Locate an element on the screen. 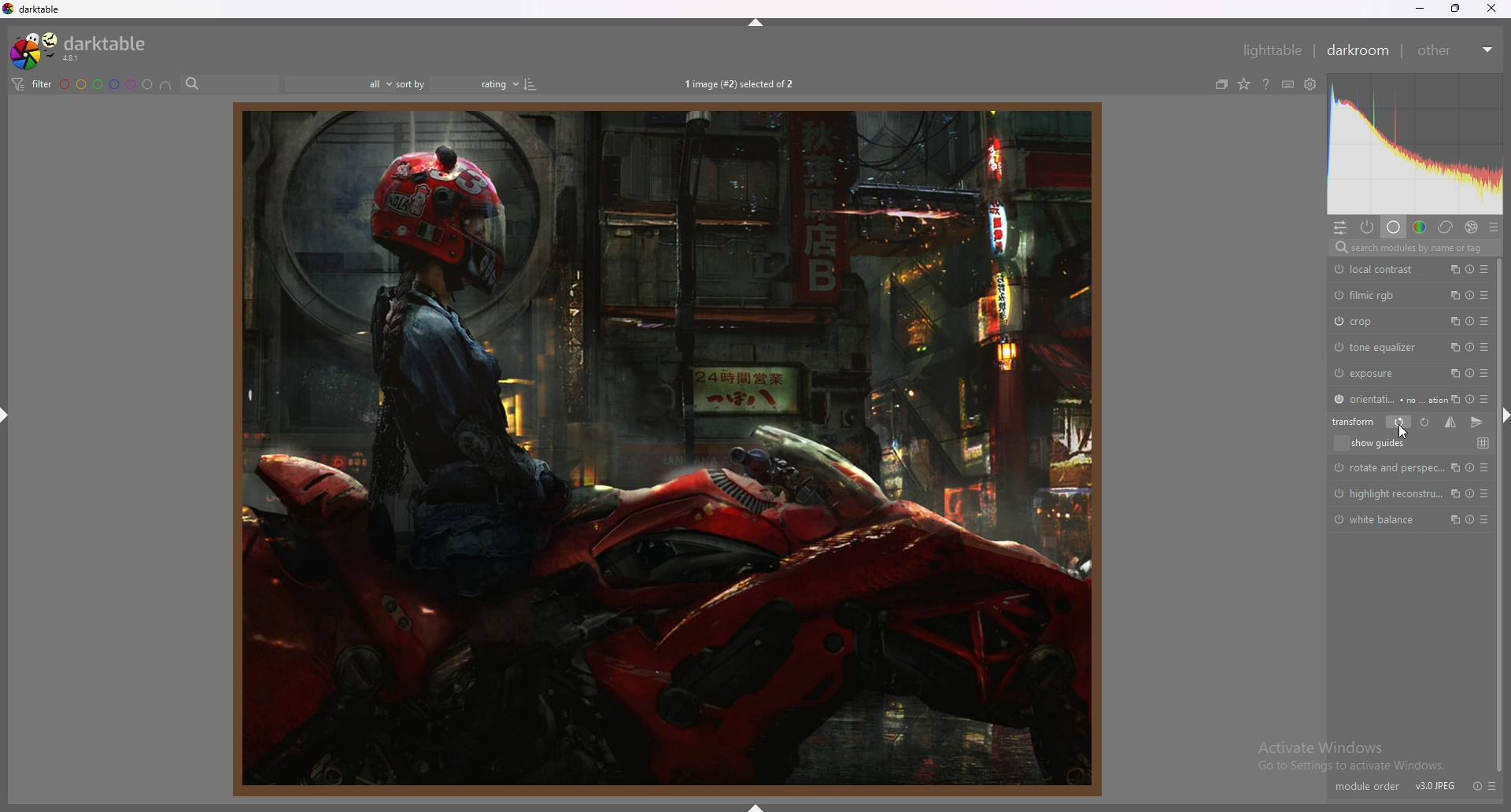 This screenshot has height=812, width=1511. presets is located at coordinates (1484, 373).